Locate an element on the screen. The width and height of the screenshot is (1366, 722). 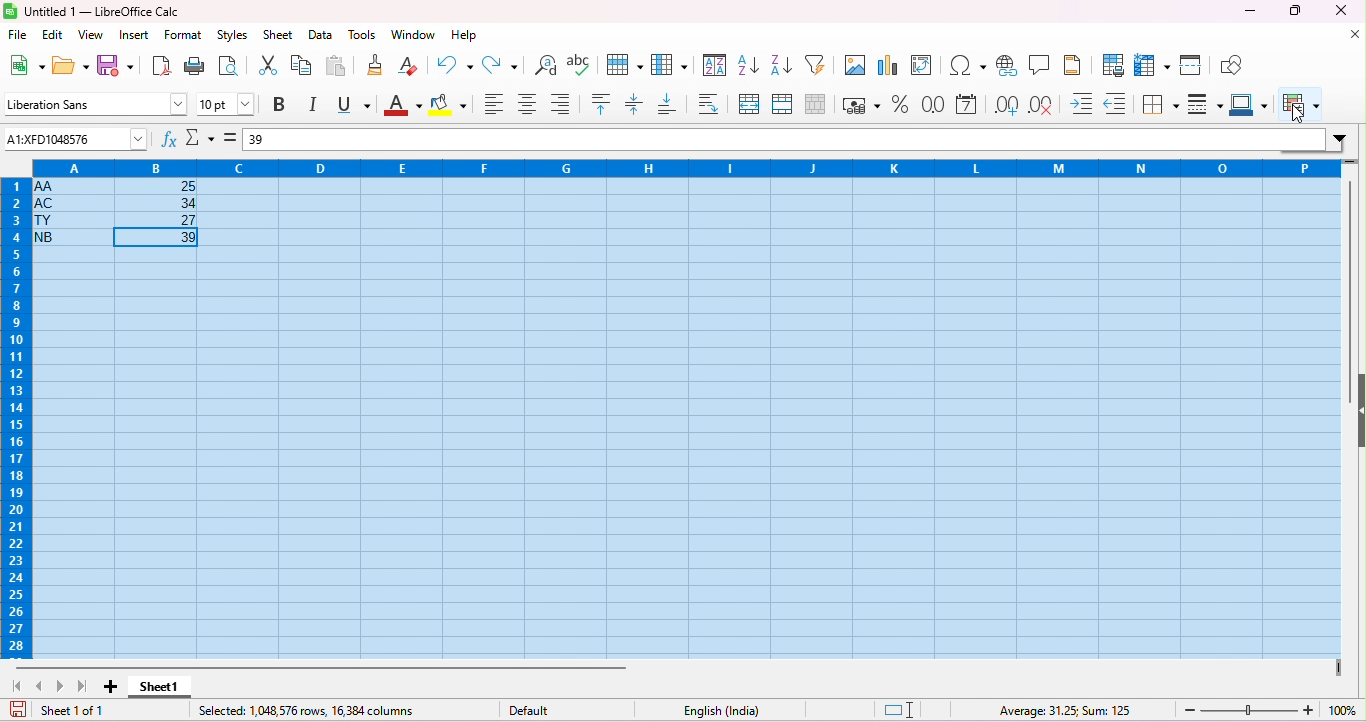
format as number is located at coordinates (934, 104).